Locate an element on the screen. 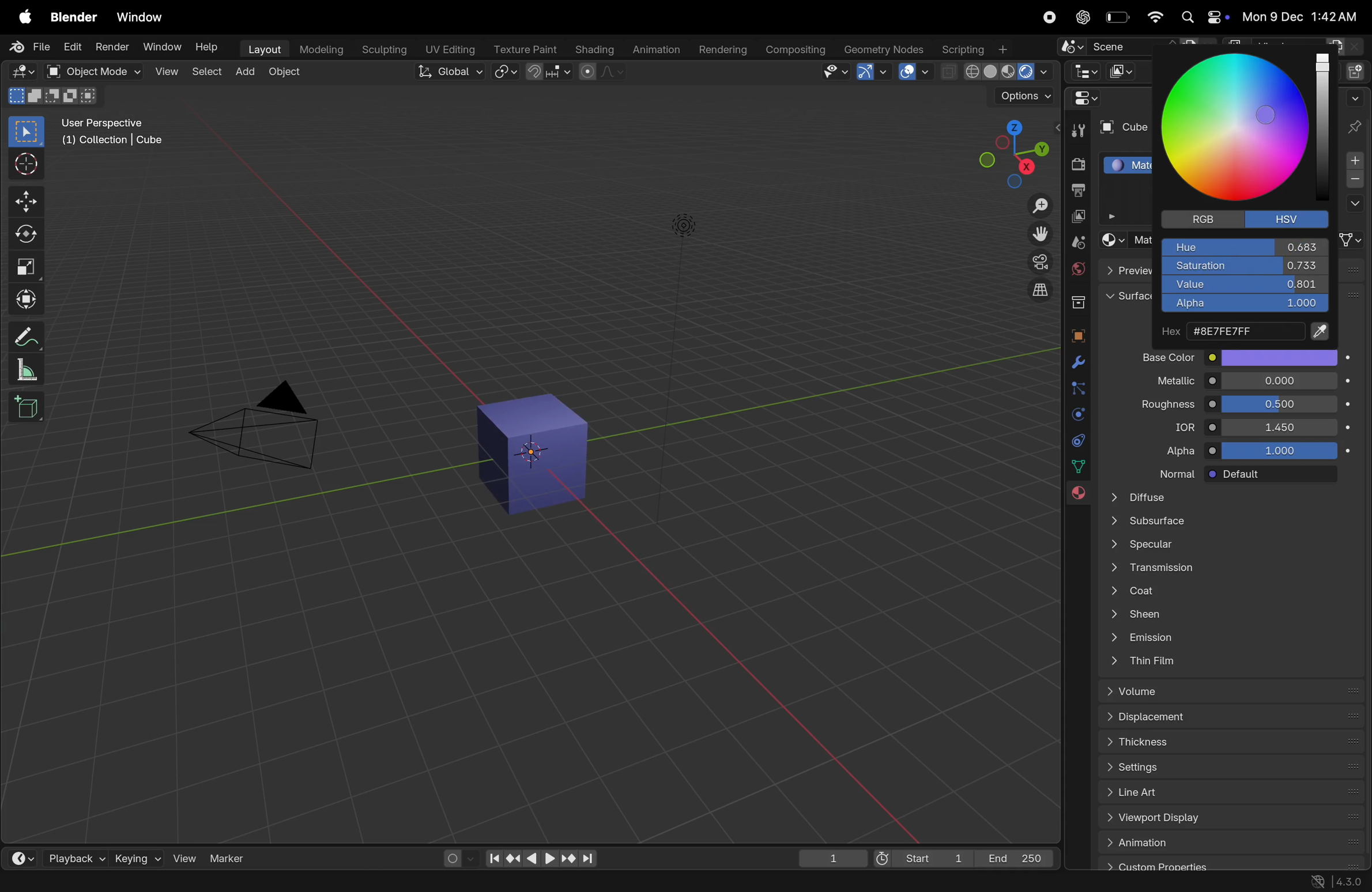  Lights is located at coordinates (685, 227).